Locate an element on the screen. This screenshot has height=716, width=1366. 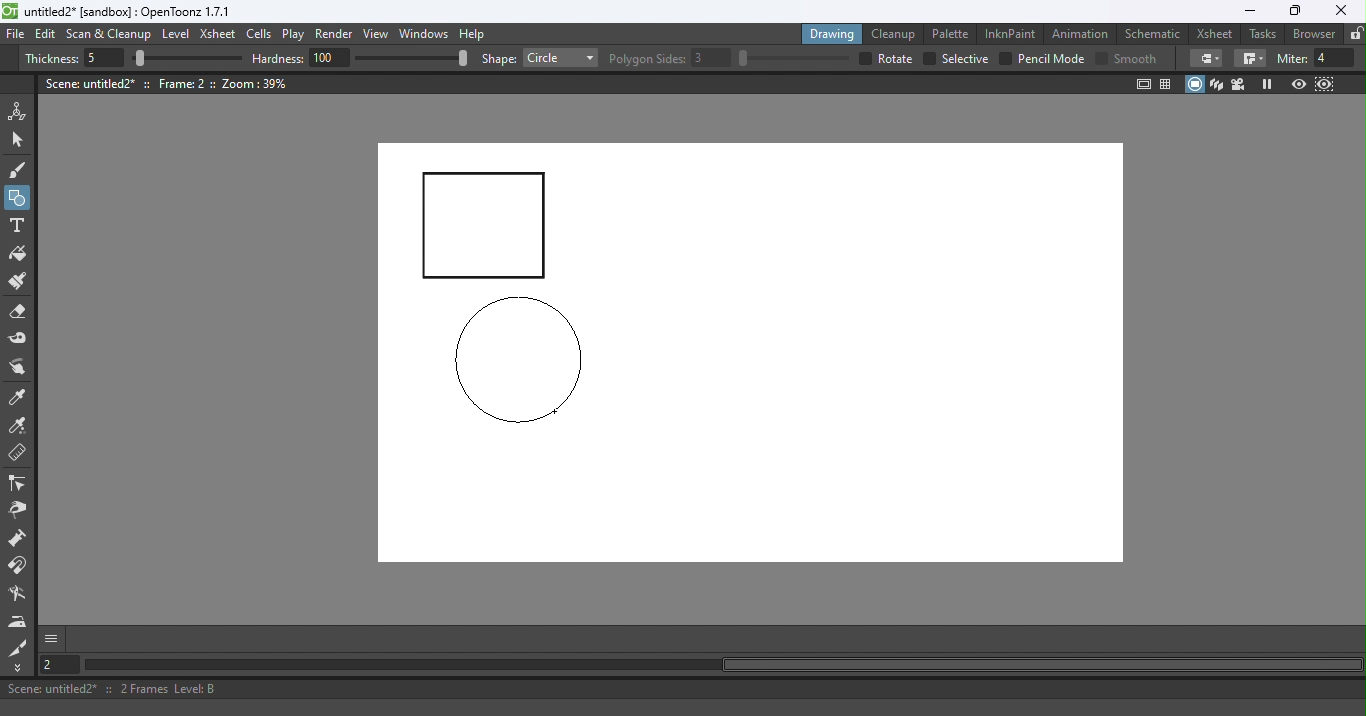
Scan & Cleanup is located at coordinates (109, 36).